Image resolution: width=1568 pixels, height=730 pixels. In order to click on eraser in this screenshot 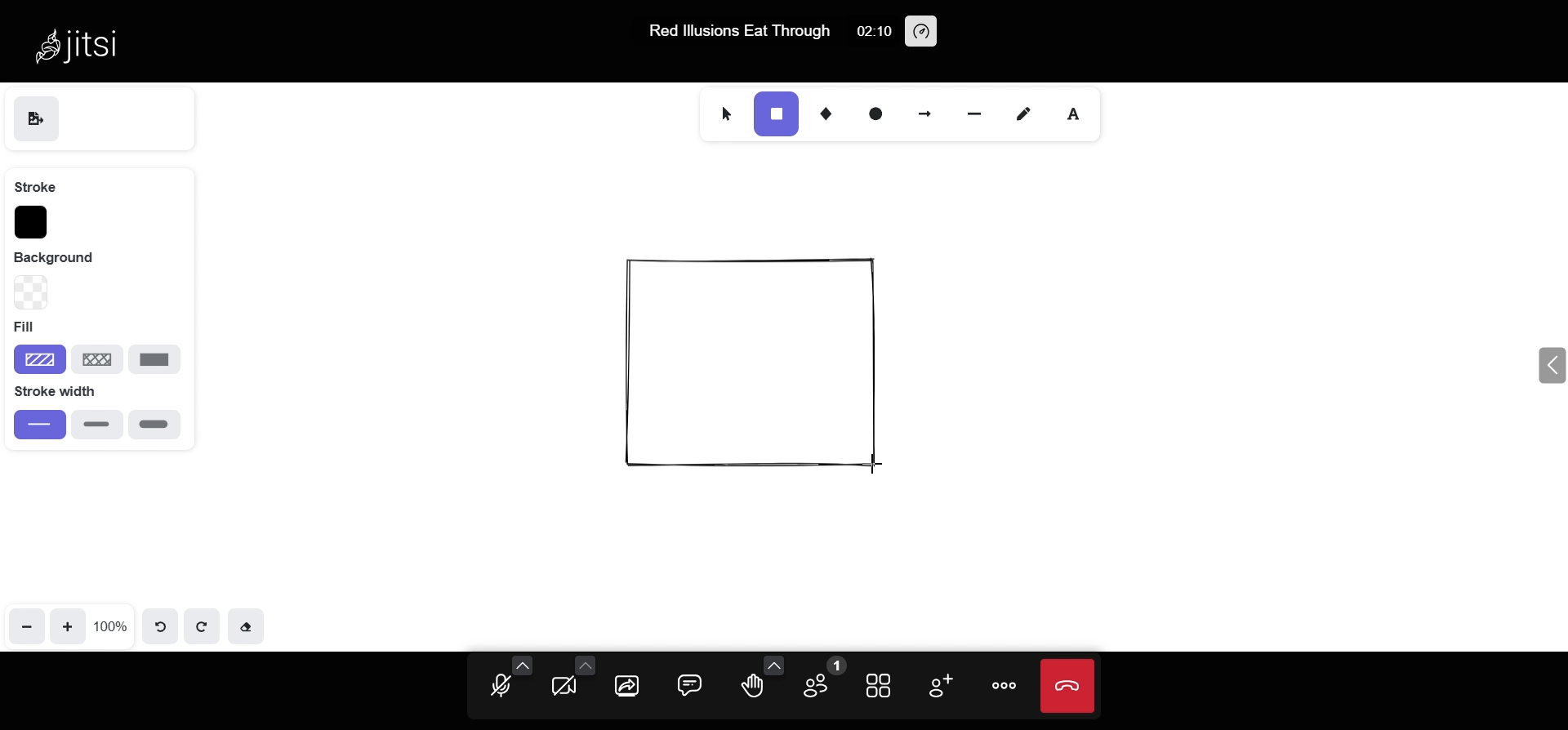, I will do `click(248, 628)`.